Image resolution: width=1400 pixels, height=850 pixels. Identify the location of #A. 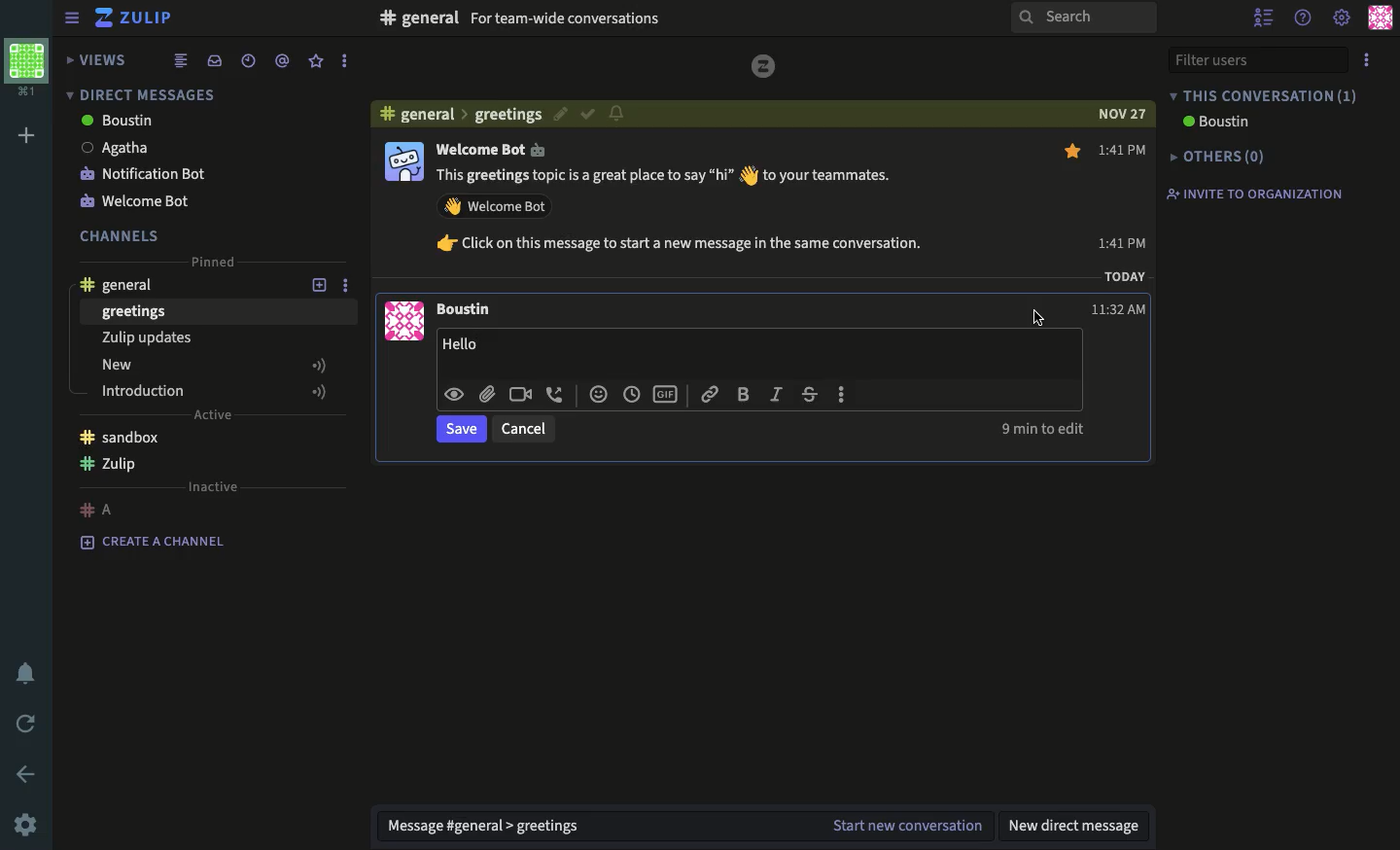
(98, 509).